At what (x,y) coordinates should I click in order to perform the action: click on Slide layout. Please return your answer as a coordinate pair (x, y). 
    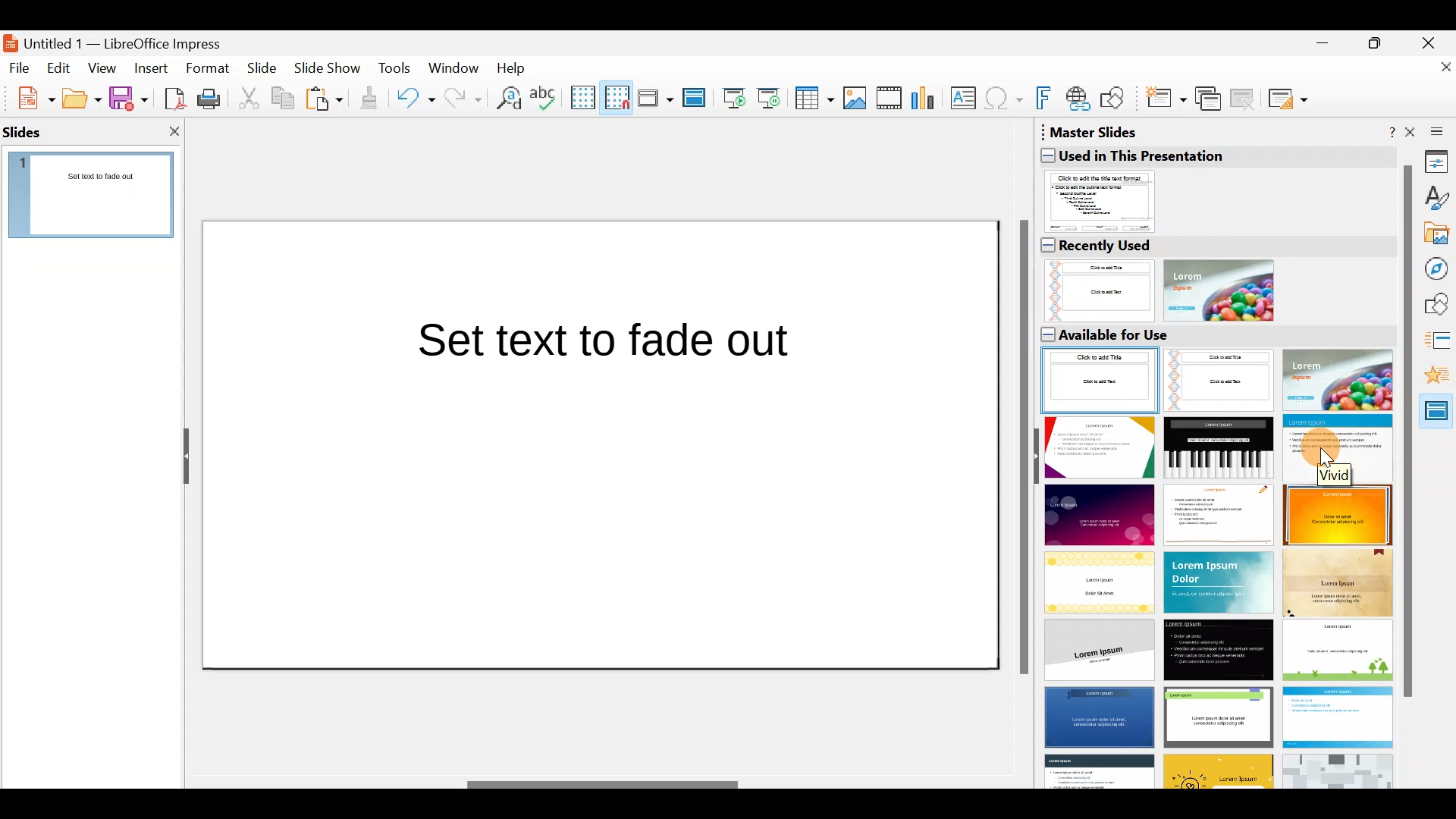
    Looking at the image, I should click on (1289, 99).